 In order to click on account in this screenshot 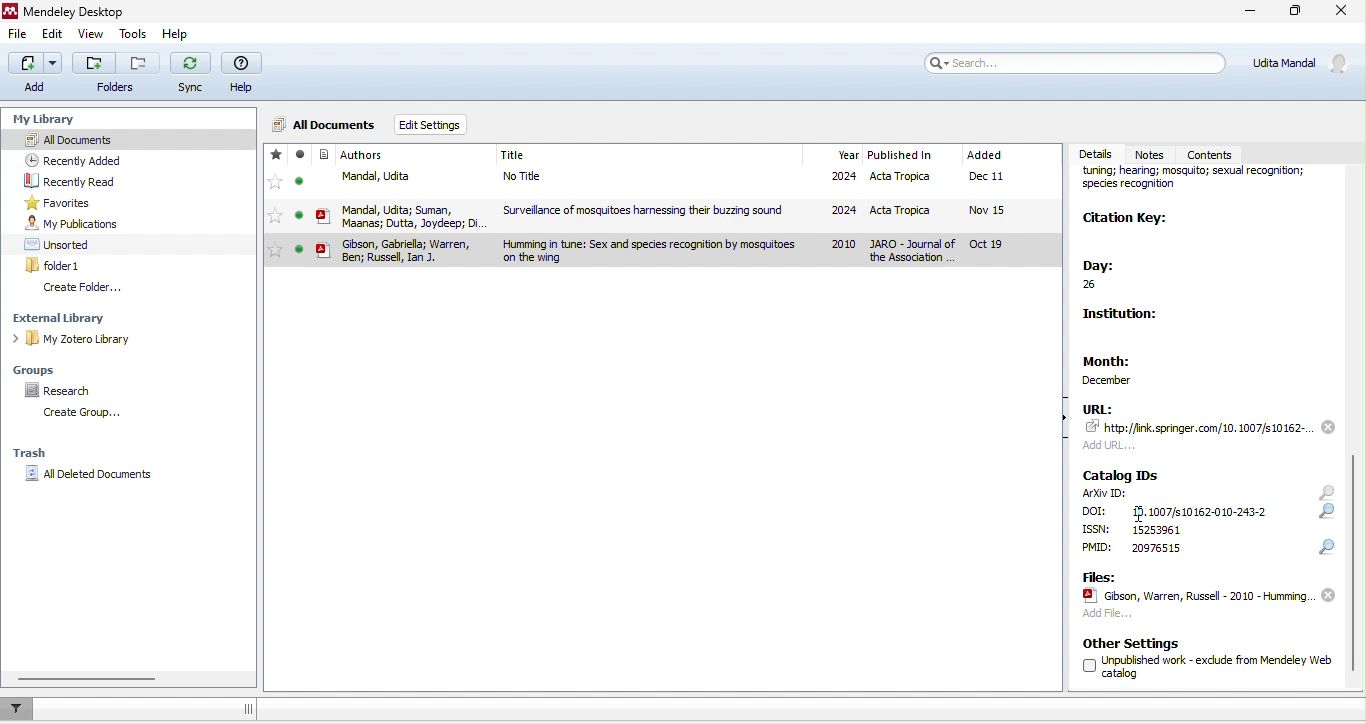, I will do `click(1302, 62)`.